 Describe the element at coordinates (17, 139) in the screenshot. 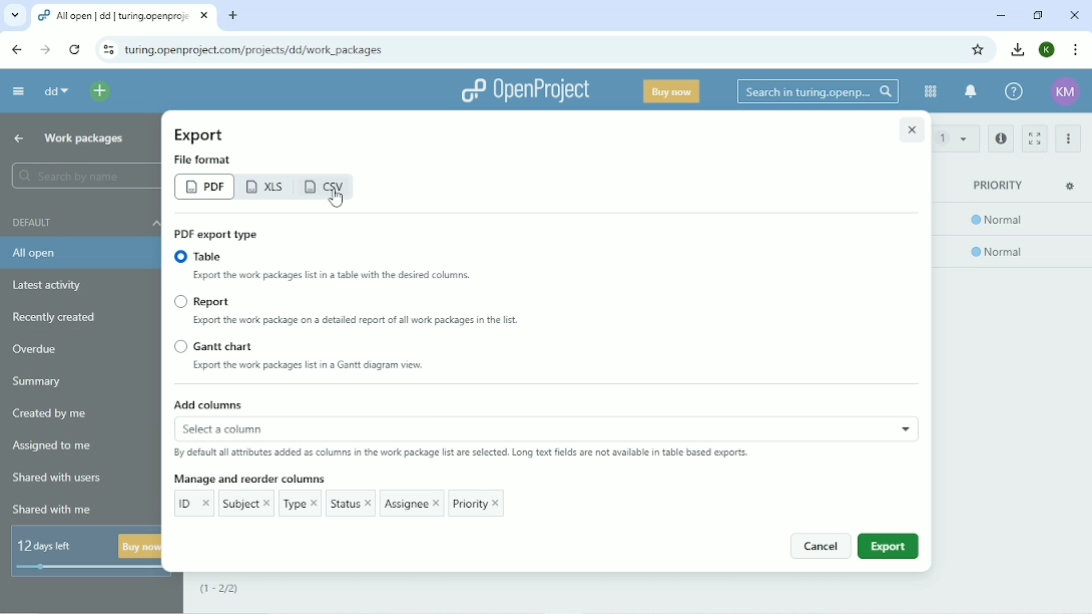

I see `Up` at that location.